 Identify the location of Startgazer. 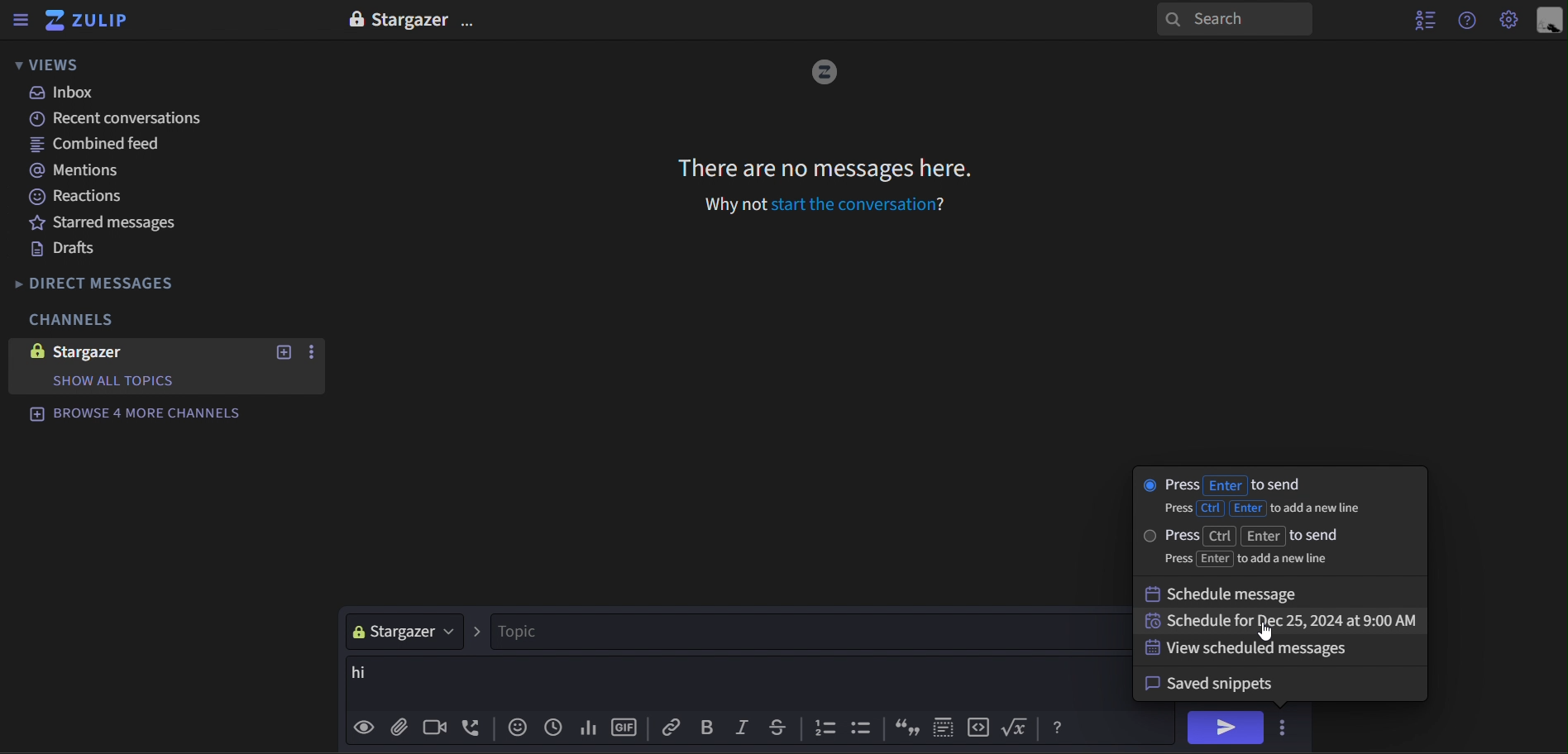
(414, 19).